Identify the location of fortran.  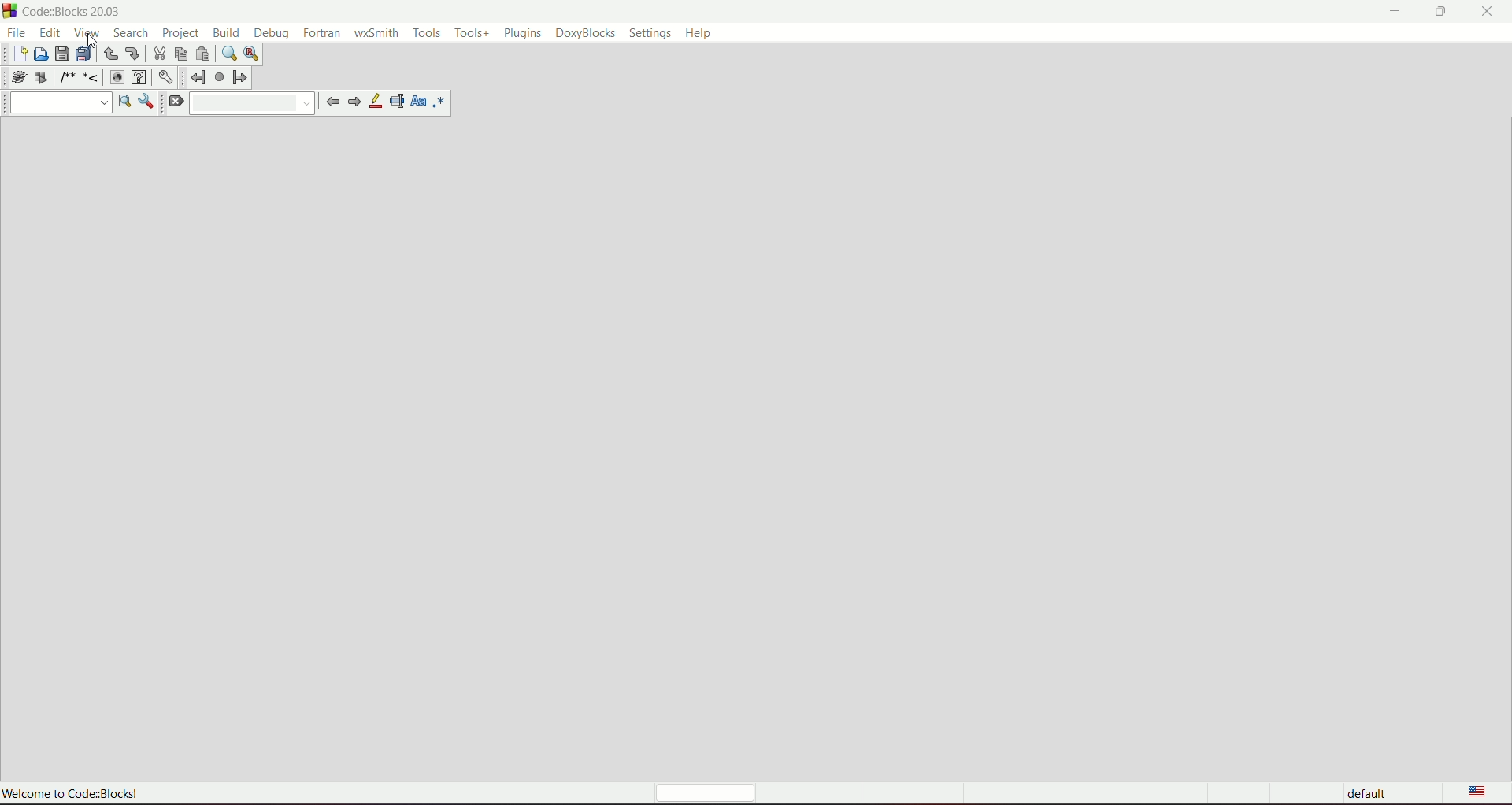
(321, 33).